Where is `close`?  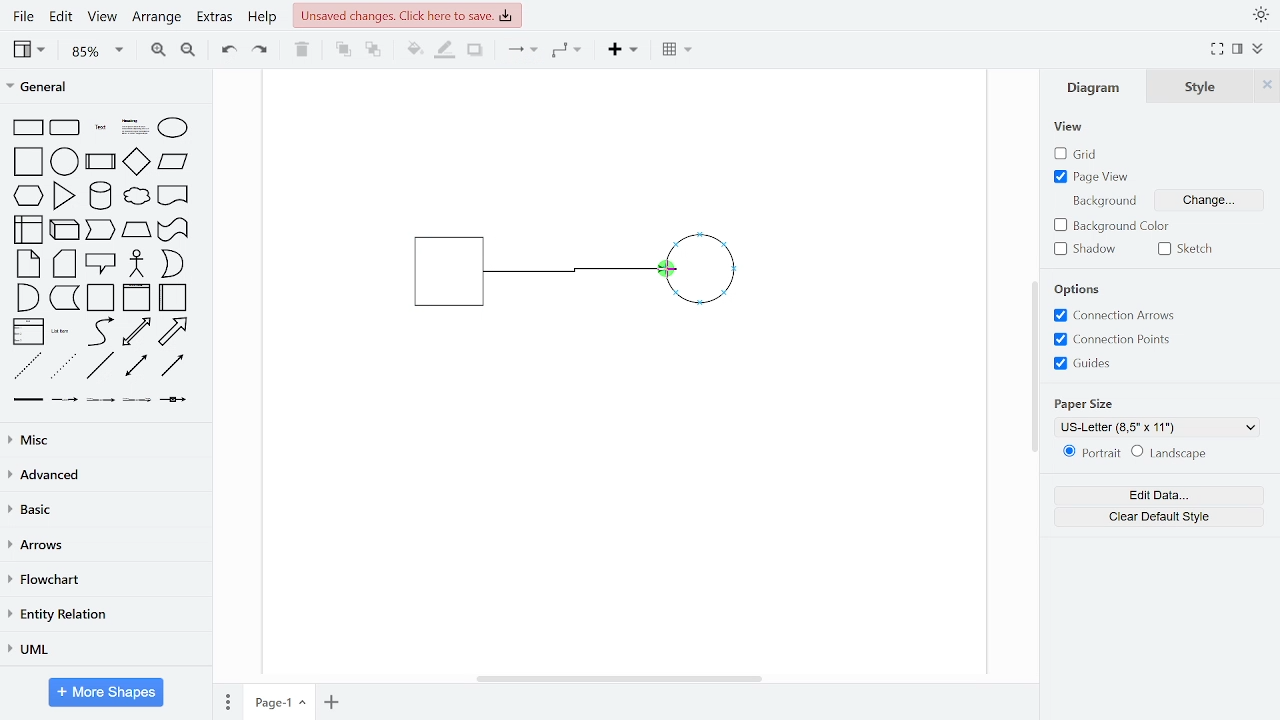 close is located at coordinates (1267, 85).